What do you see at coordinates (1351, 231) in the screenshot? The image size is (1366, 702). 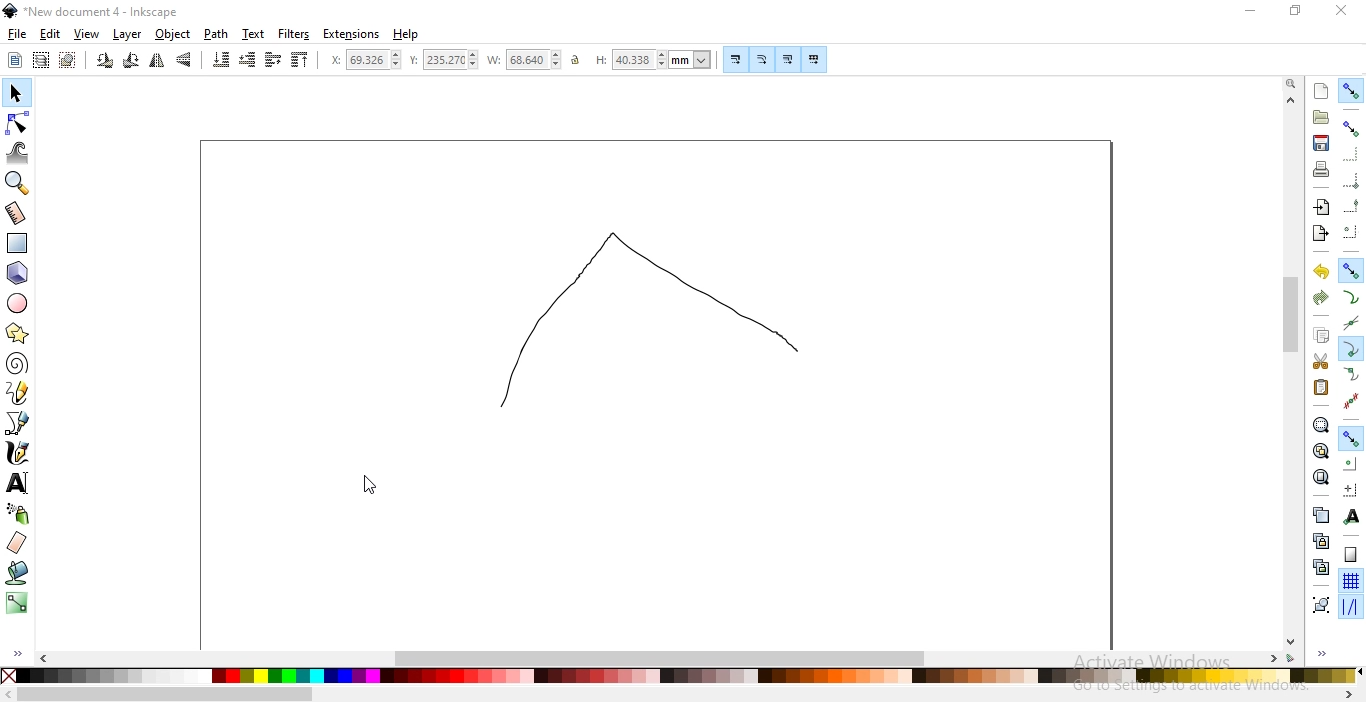 I see `snapping centers of bounding boxes` at bounding box center [1351, 231].